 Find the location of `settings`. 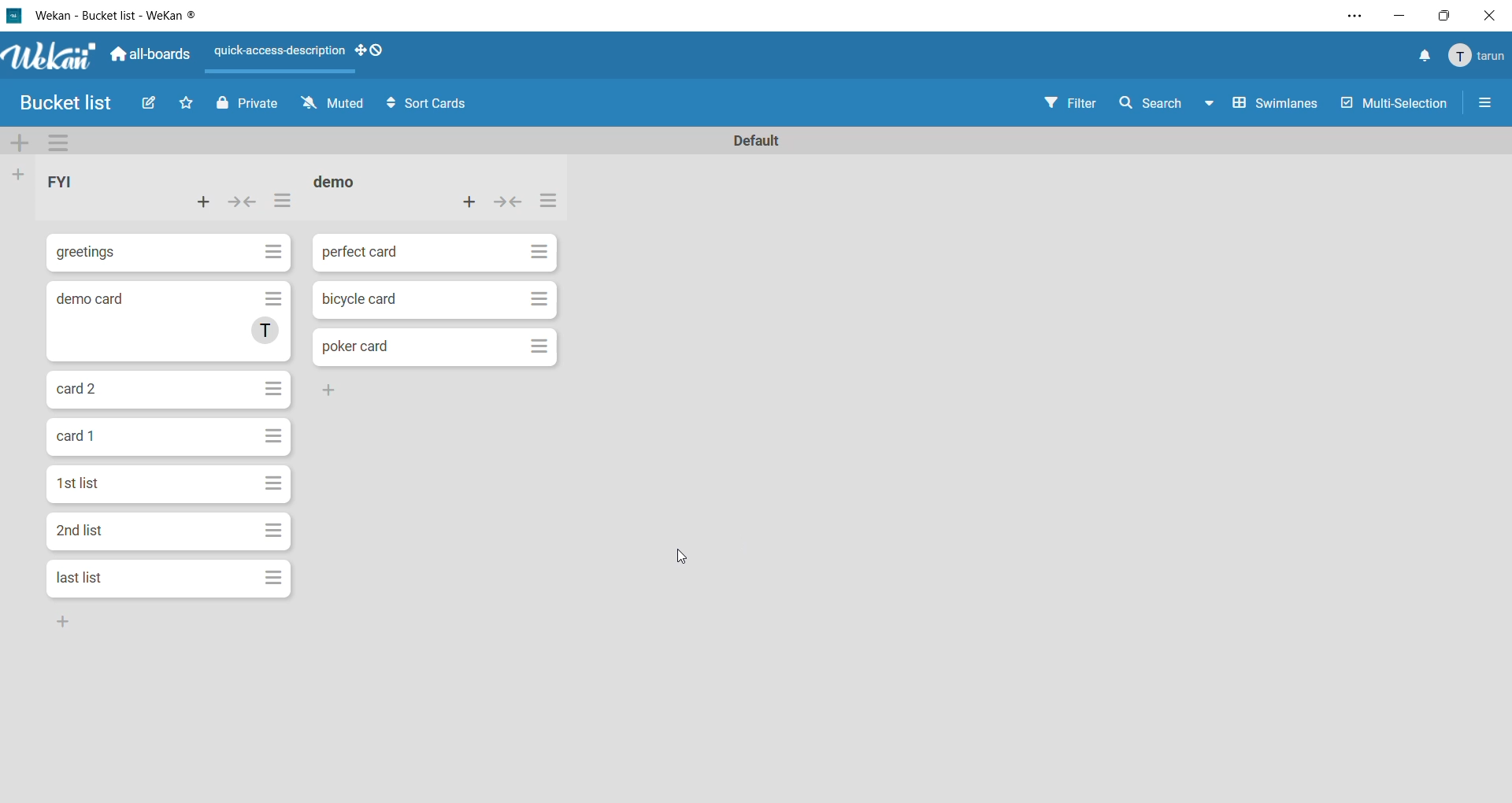

settings is located at coordinates (1349, 16).